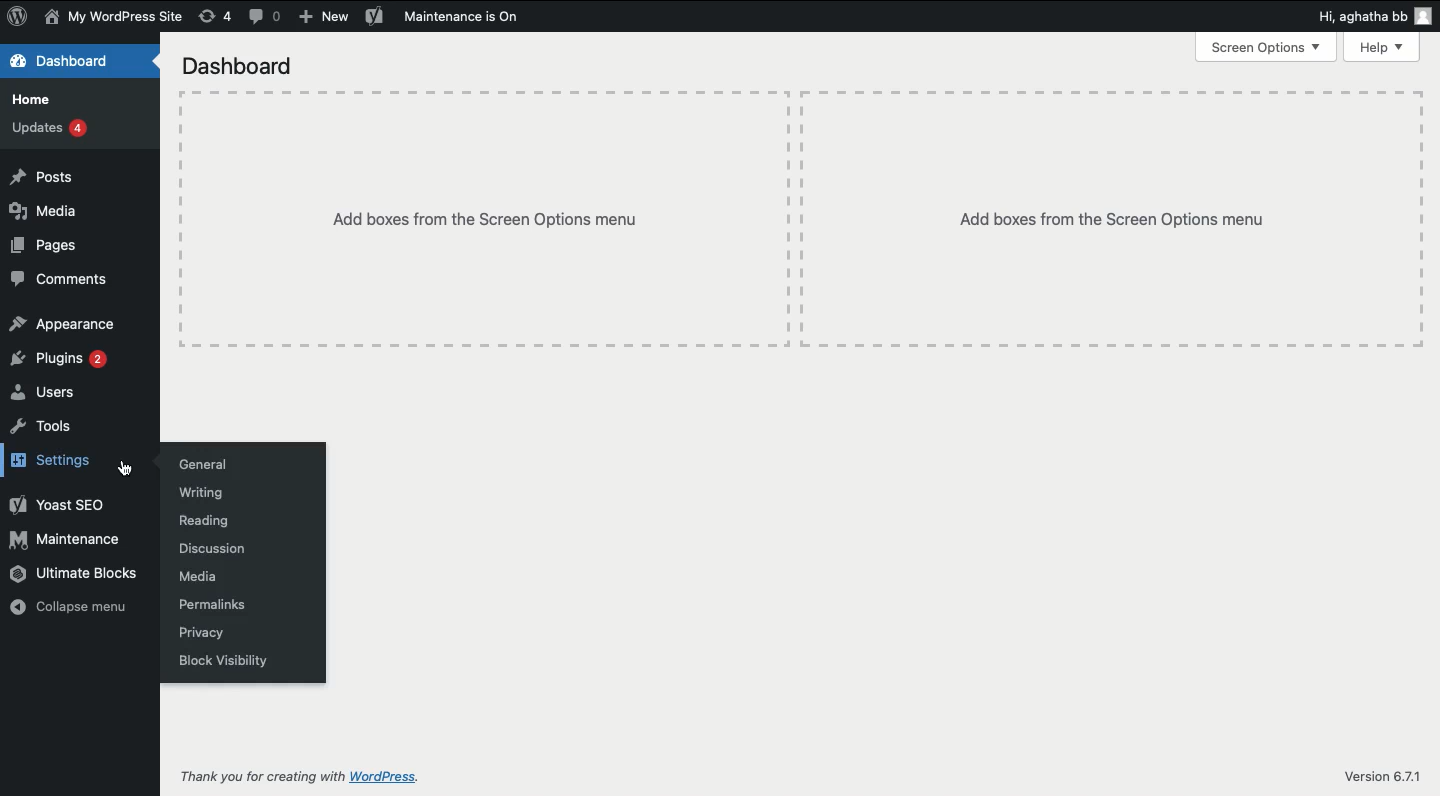 The width and height of the screenshot is (1440, 796). What do you see at coordinates (1386, 777) in the screenshot?
I see `version 6.7.1` at bounding box center [1386, 777].